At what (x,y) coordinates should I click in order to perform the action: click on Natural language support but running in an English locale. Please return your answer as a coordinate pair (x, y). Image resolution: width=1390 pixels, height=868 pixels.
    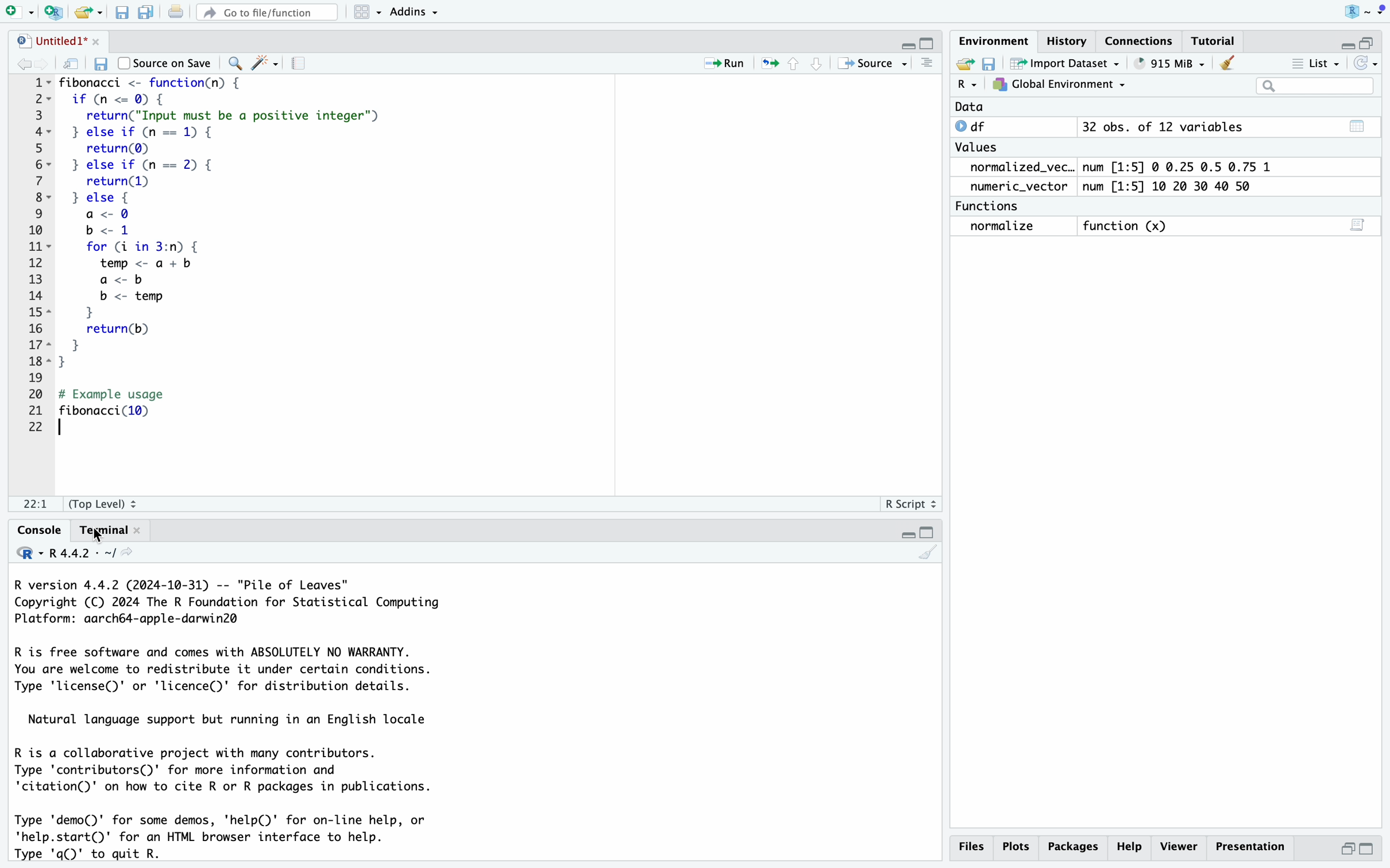
    Looking at the image, I should click on (237, 720).